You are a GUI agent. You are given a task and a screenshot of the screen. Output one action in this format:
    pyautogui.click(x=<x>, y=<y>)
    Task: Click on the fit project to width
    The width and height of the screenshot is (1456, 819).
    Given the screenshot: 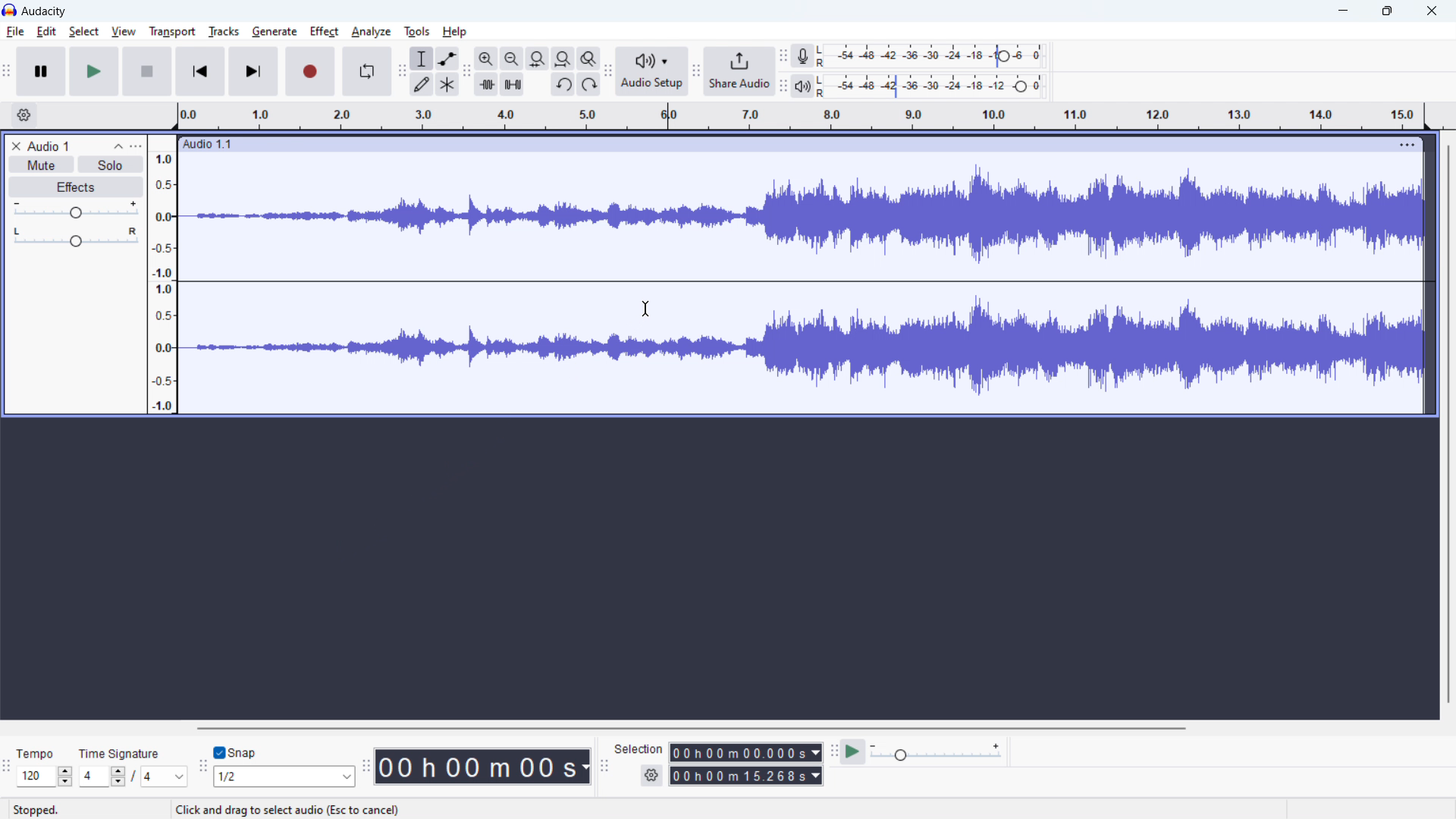 What is the action you would take?
    pyautogui.click(x=563, y=58)
    